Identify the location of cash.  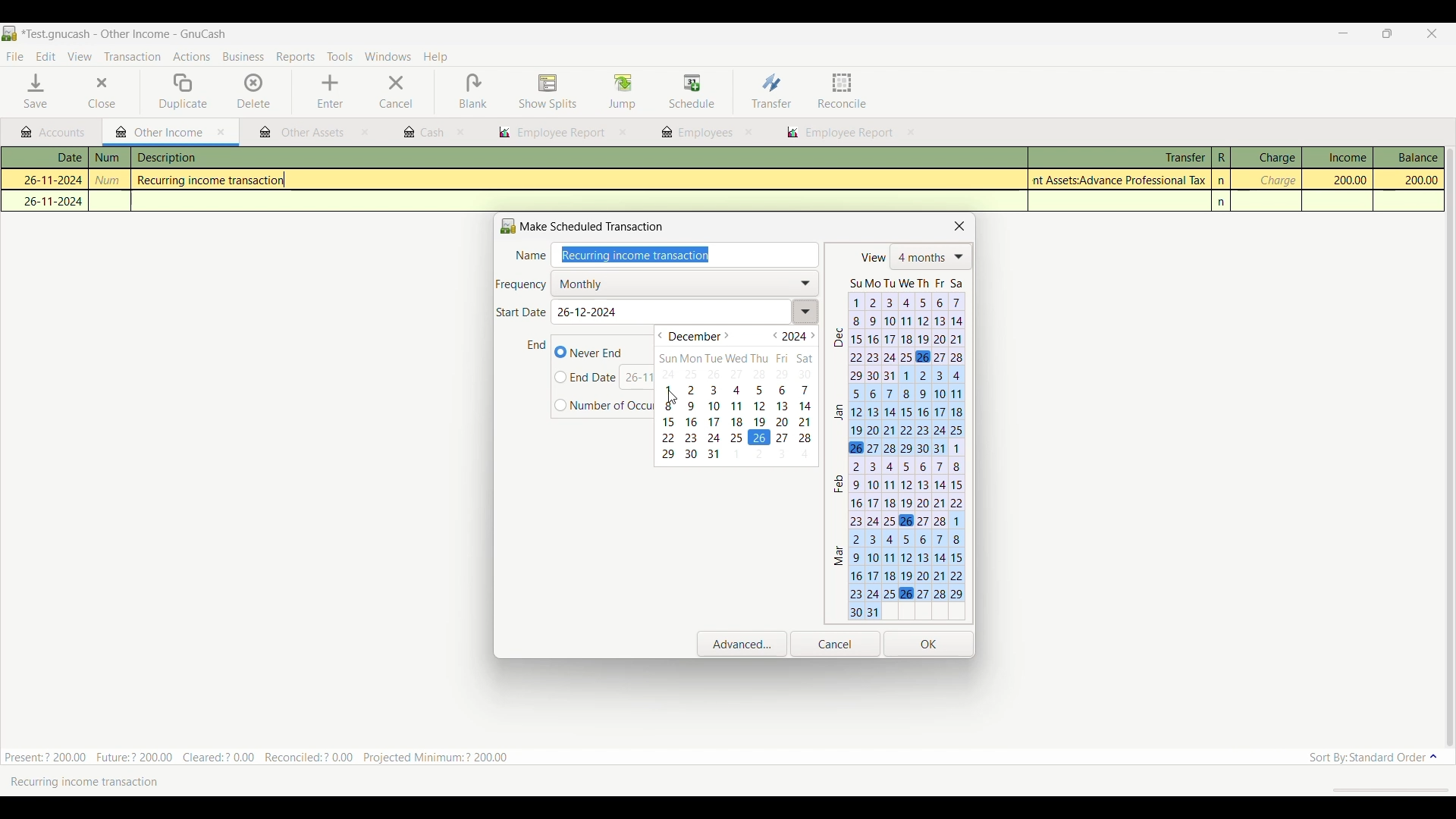
(422, 133).